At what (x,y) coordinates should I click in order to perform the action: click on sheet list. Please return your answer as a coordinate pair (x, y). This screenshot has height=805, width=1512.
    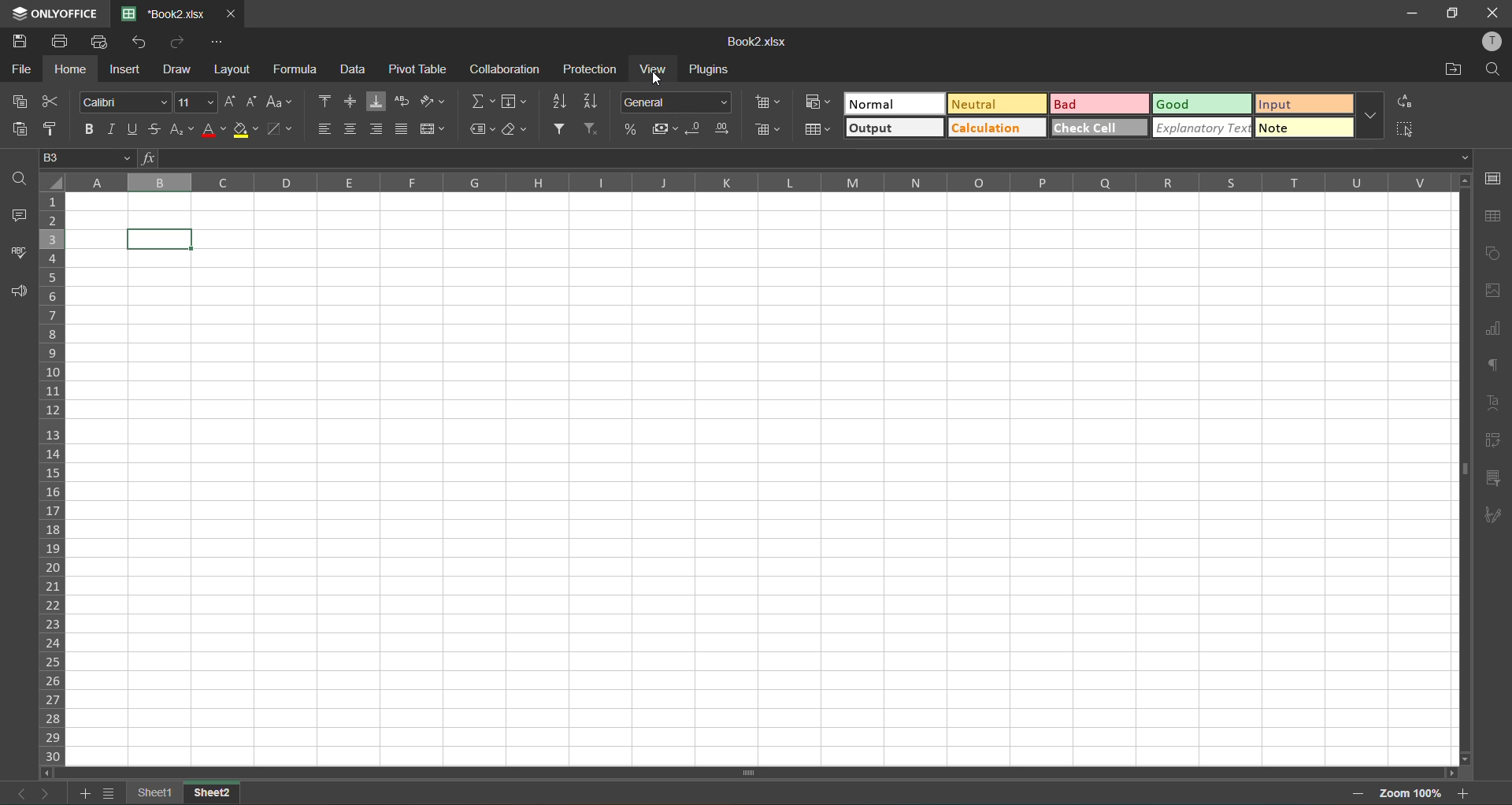
    Looking at the image, I should click on (109, 794).